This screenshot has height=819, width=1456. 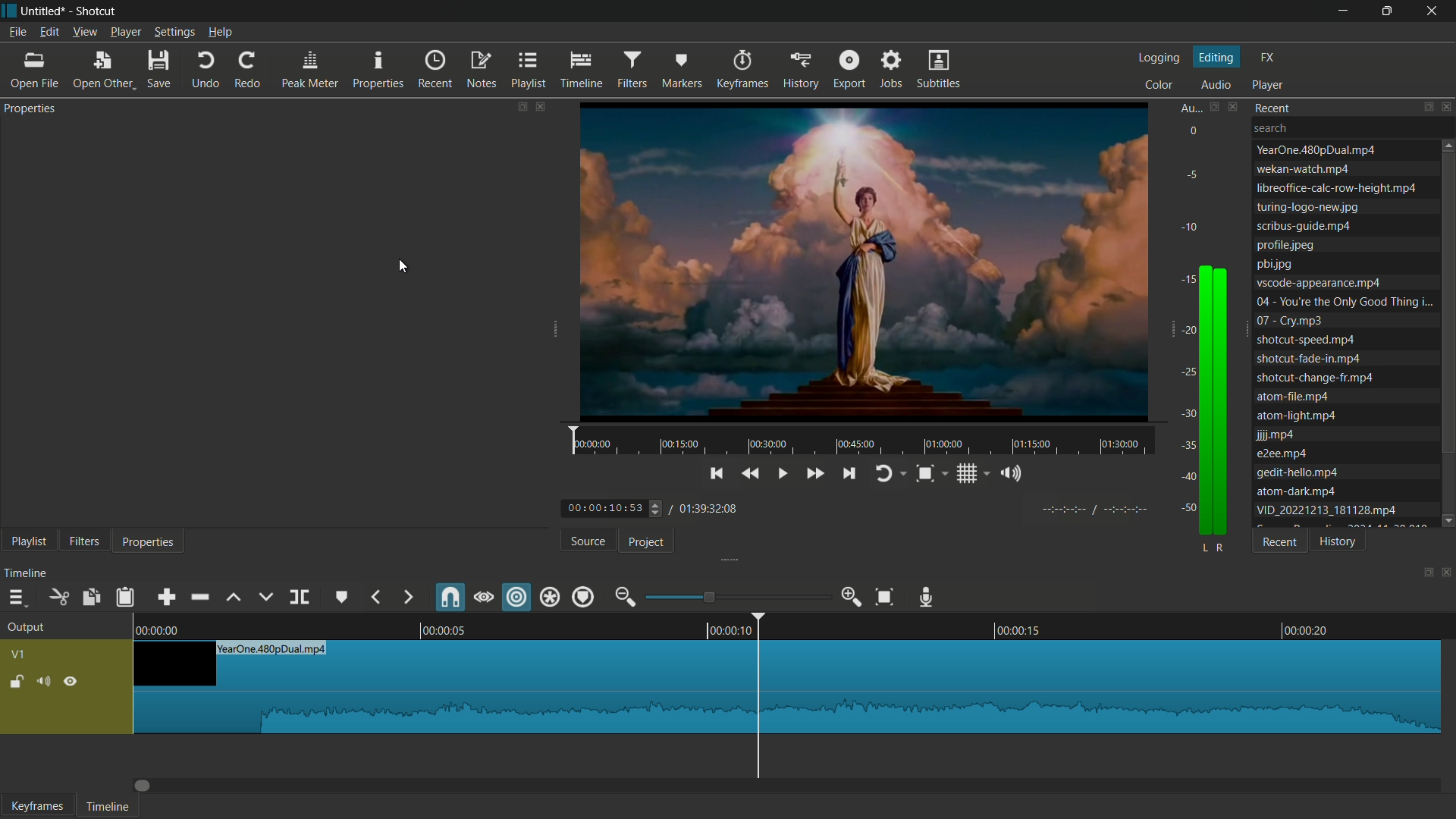 What do you see at coordinates (1217, 56) in the screenshot?
I see `editing` at bounding box center [1217, 56].